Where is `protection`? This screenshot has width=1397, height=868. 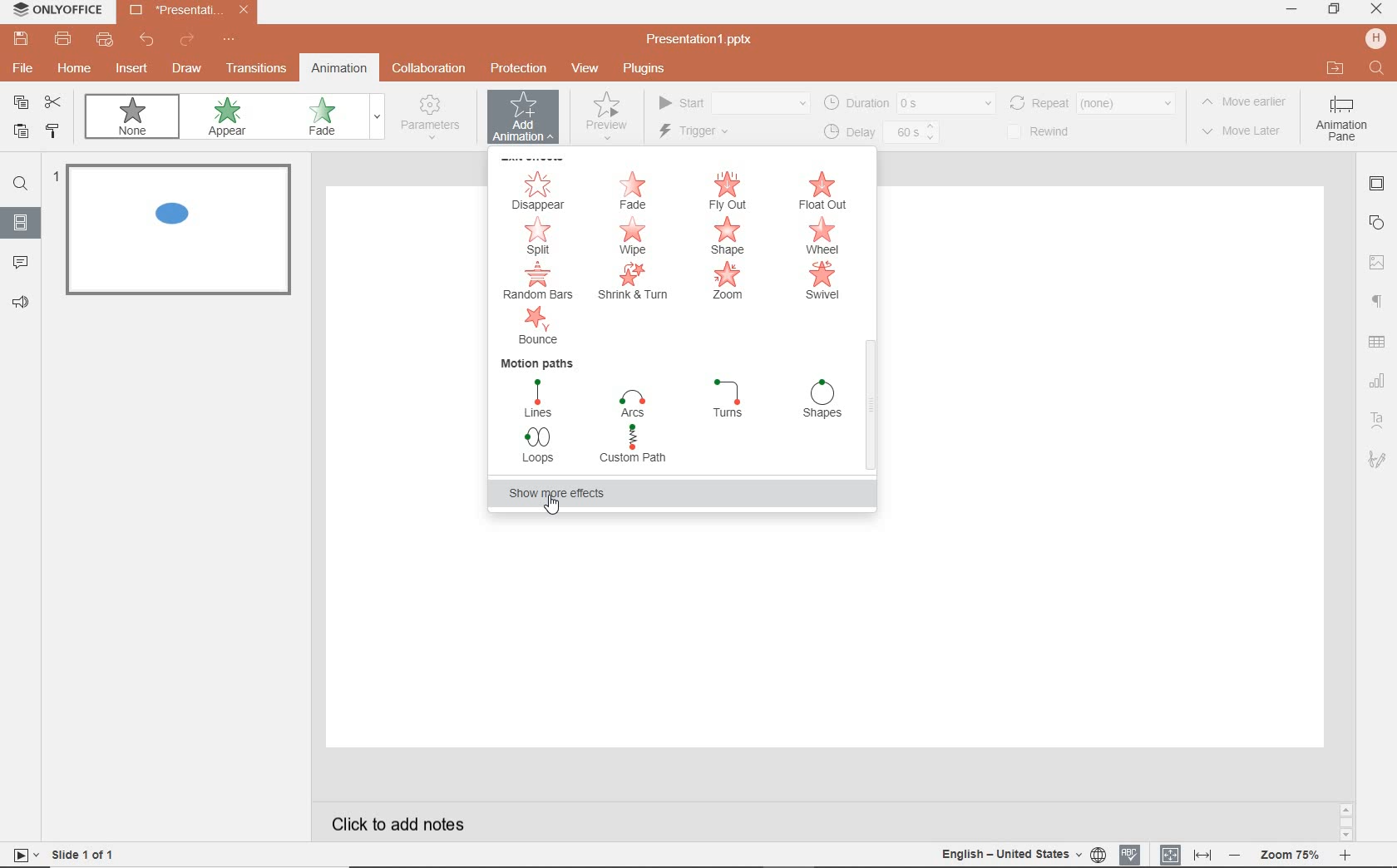 protection is located at coordinates (517, 67).